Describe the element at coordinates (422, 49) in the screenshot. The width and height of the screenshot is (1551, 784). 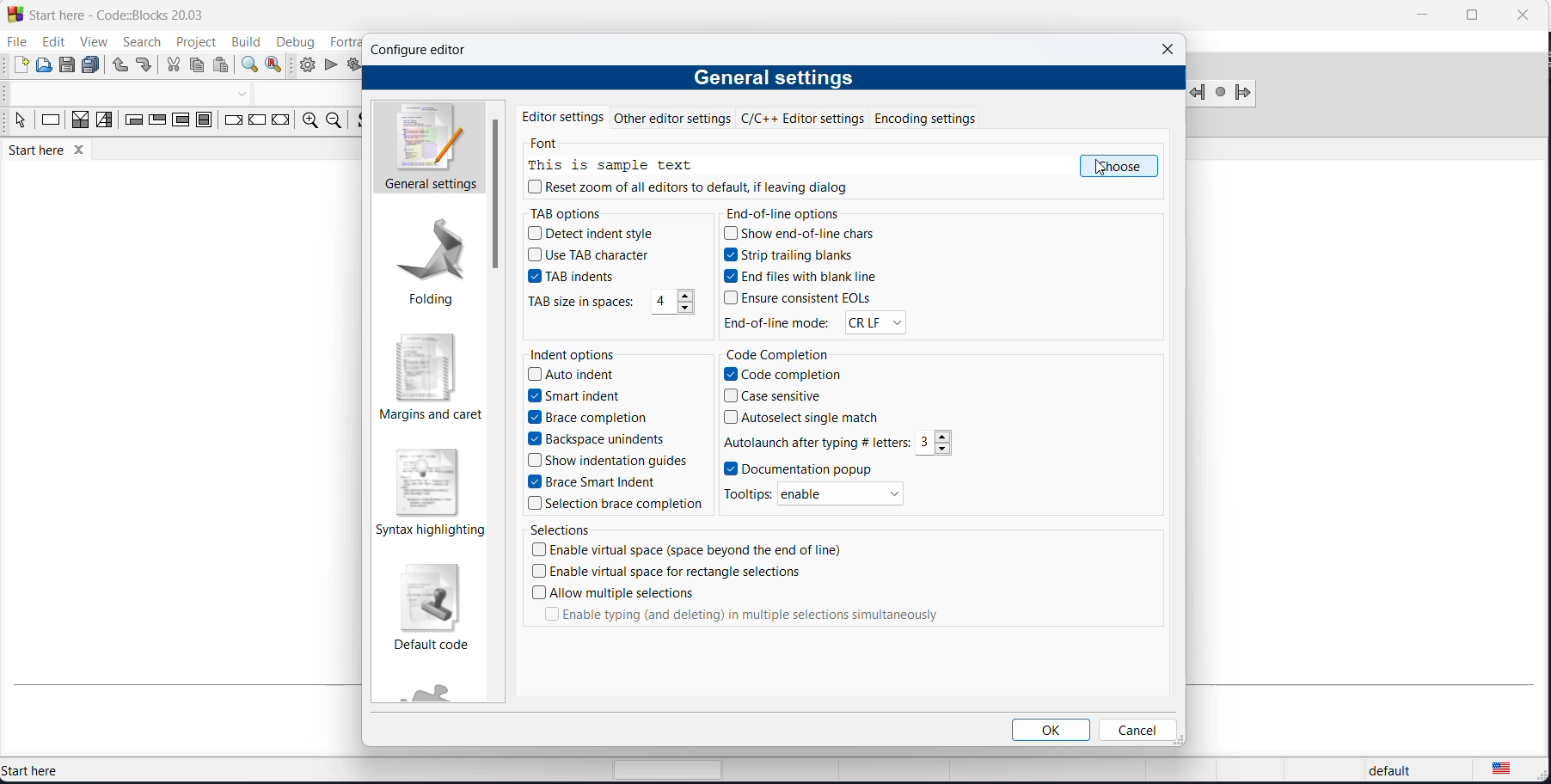
I see `configure editor dialog box` at that location.